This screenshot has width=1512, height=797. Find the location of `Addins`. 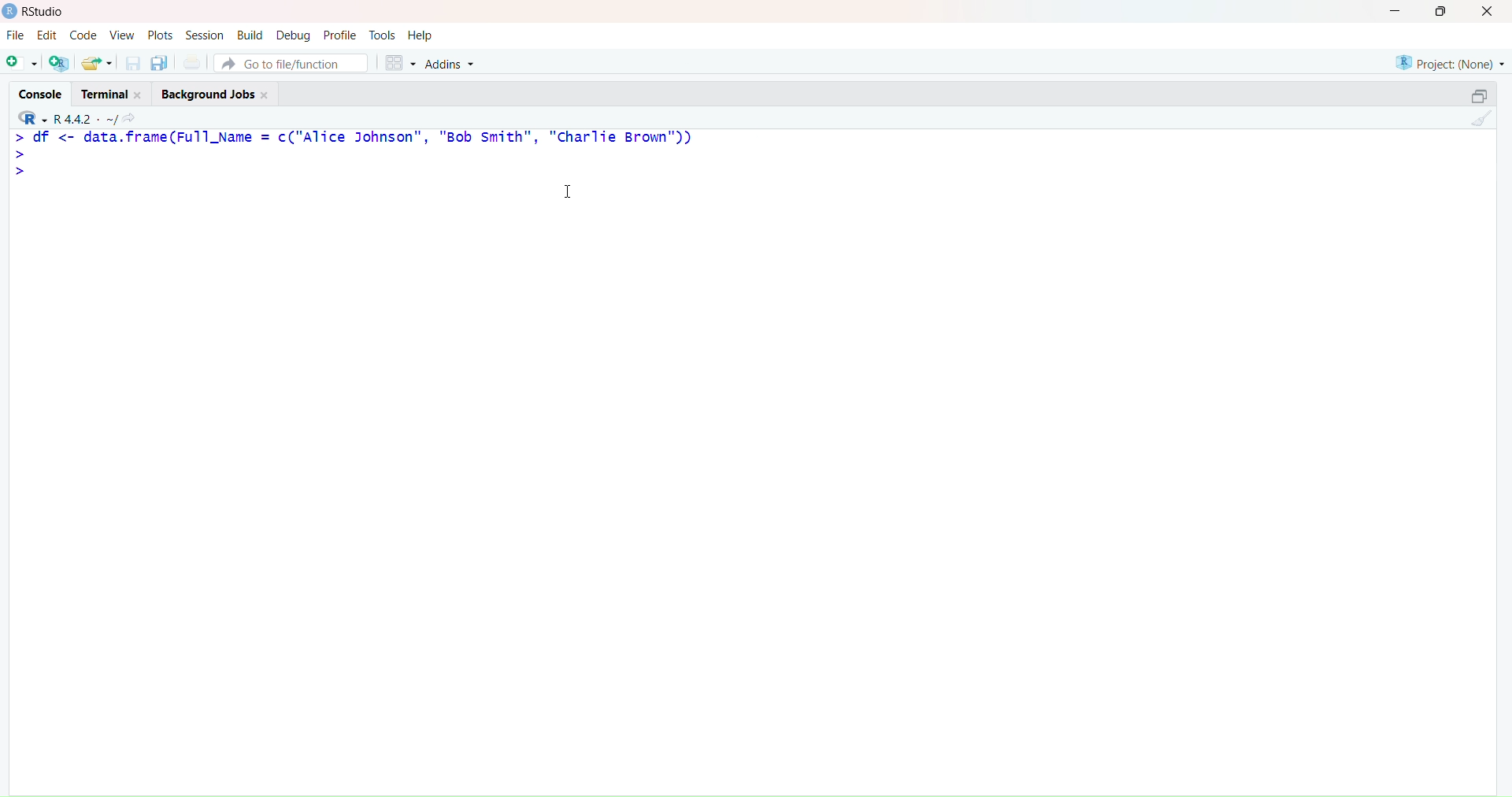

Addins is located at coordinates (453, 64).